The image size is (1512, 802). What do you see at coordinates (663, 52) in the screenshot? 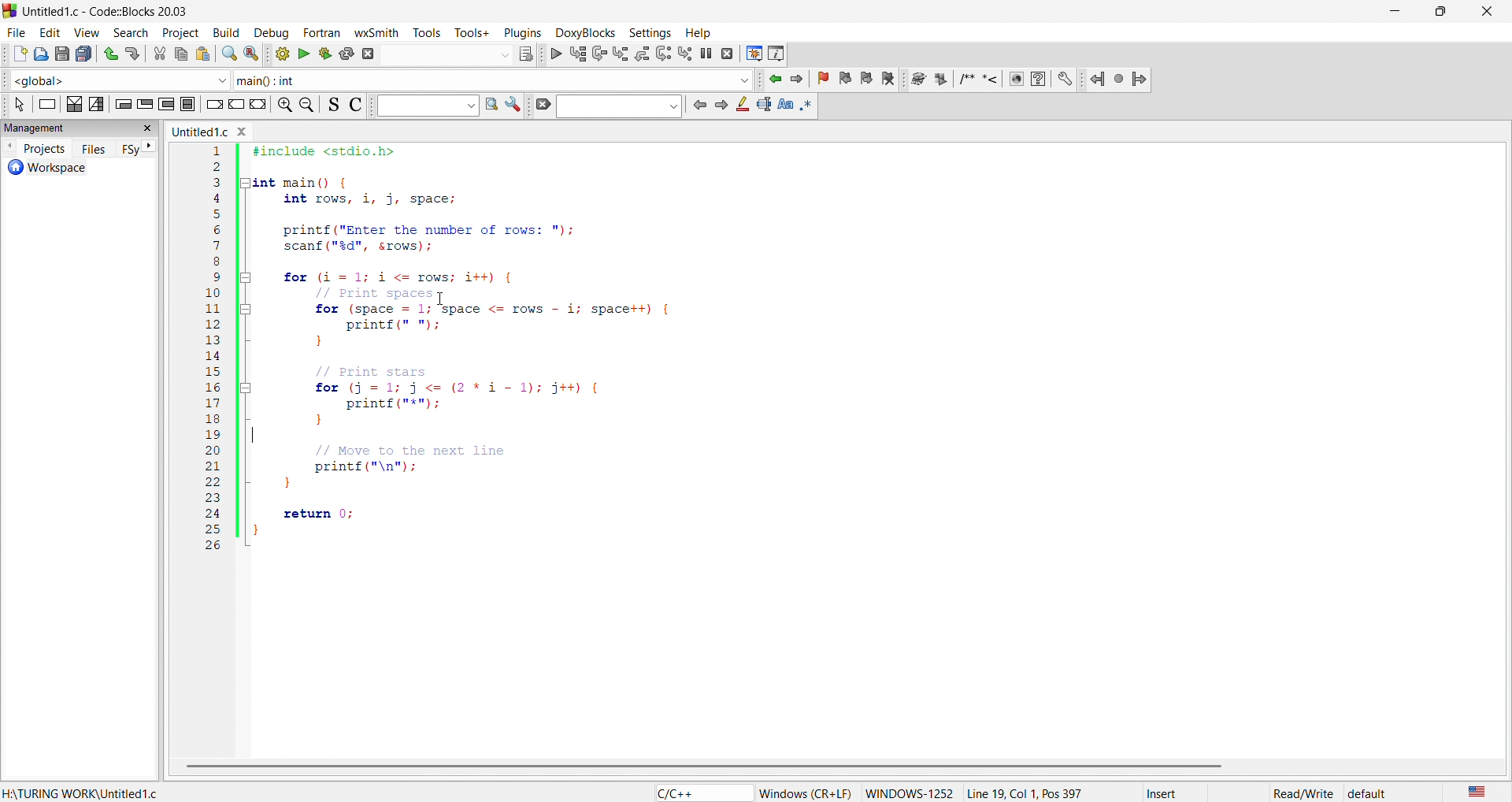
I see `next instruction` at bounding box center [663, 52].